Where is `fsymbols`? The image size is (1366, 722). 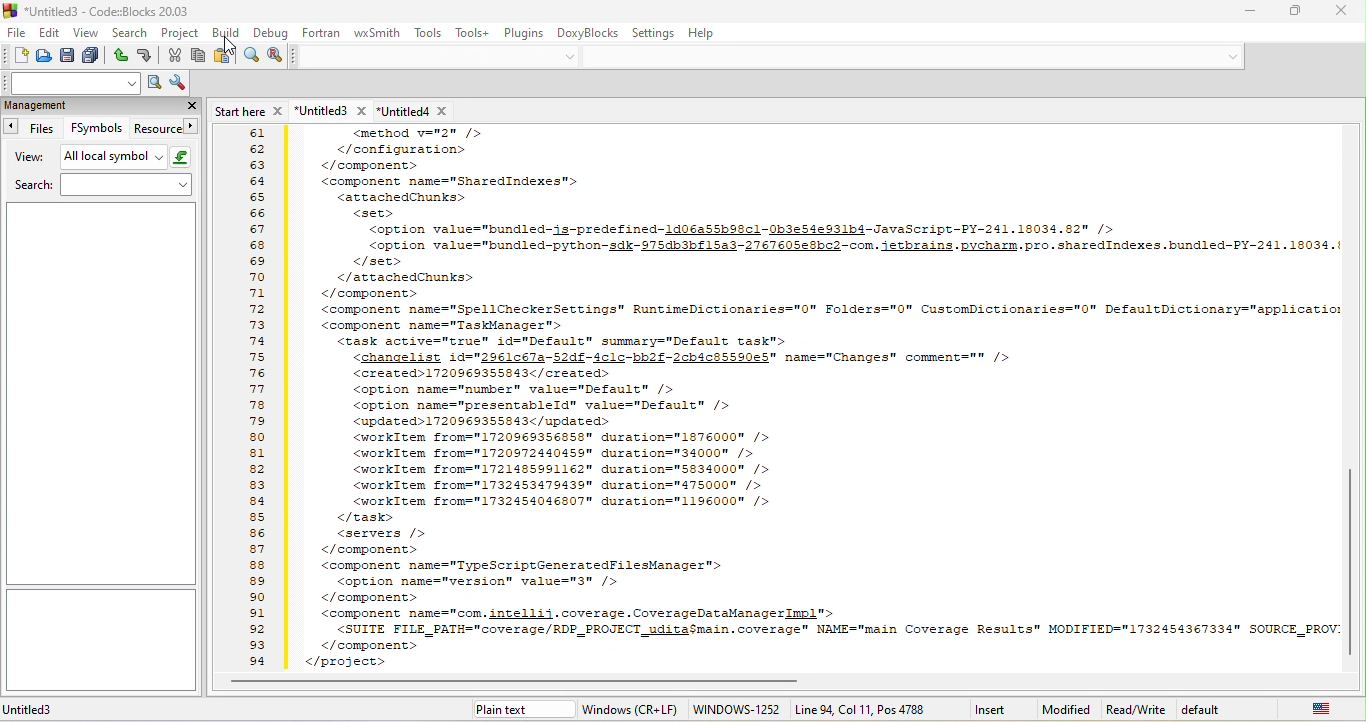
fsymbols is located at coordinates (96, 129).